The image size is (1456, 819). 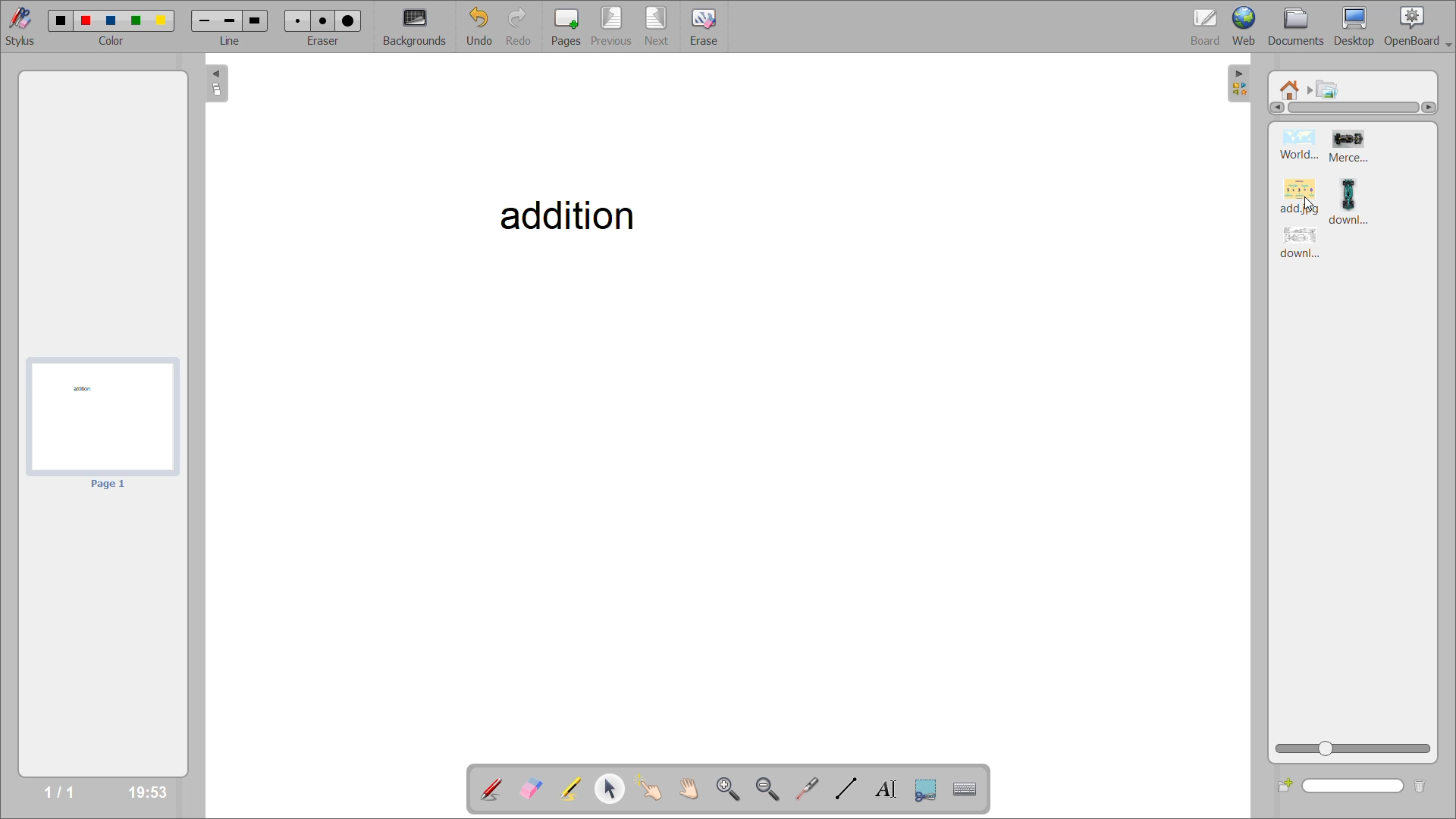 I want to click on zoom out, so click(x=767, y=786).